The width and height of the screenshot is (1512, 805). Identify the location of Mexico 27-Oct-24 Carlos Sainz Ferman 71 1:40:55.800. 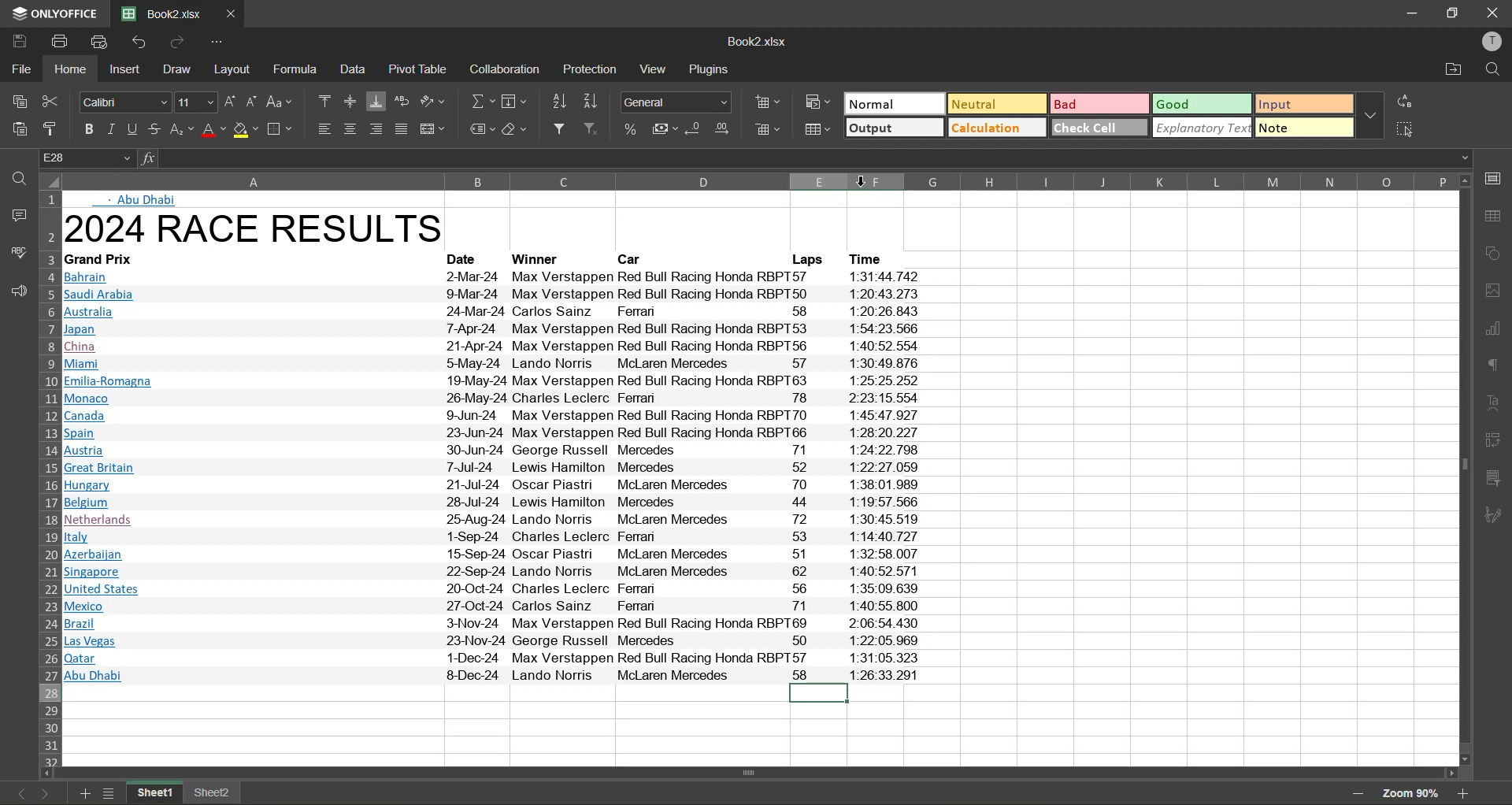
(493, 606).